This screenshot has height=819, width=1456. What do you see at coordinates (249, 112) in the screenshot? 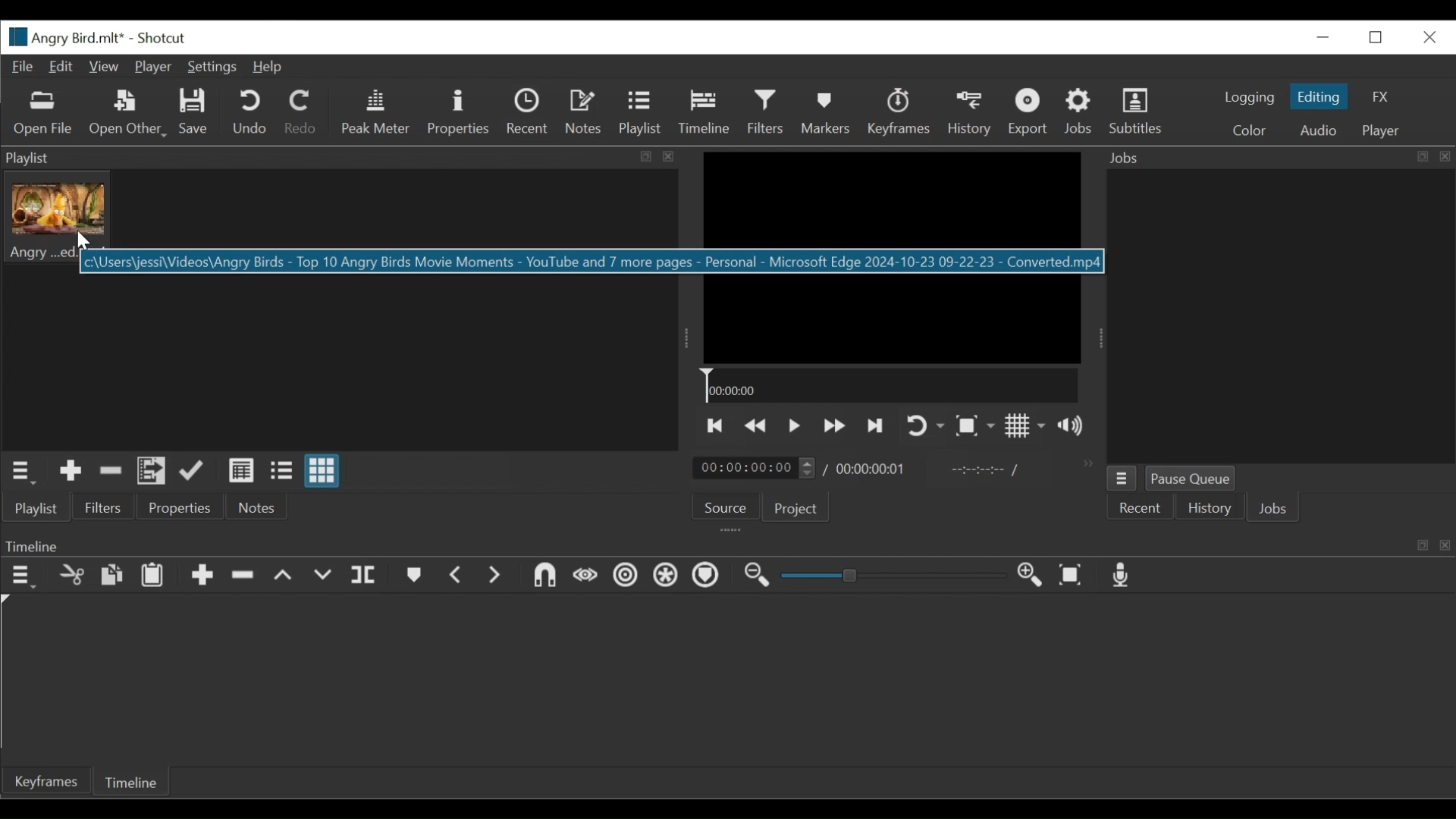
I see `Undo` at bounding box center [249, 112].